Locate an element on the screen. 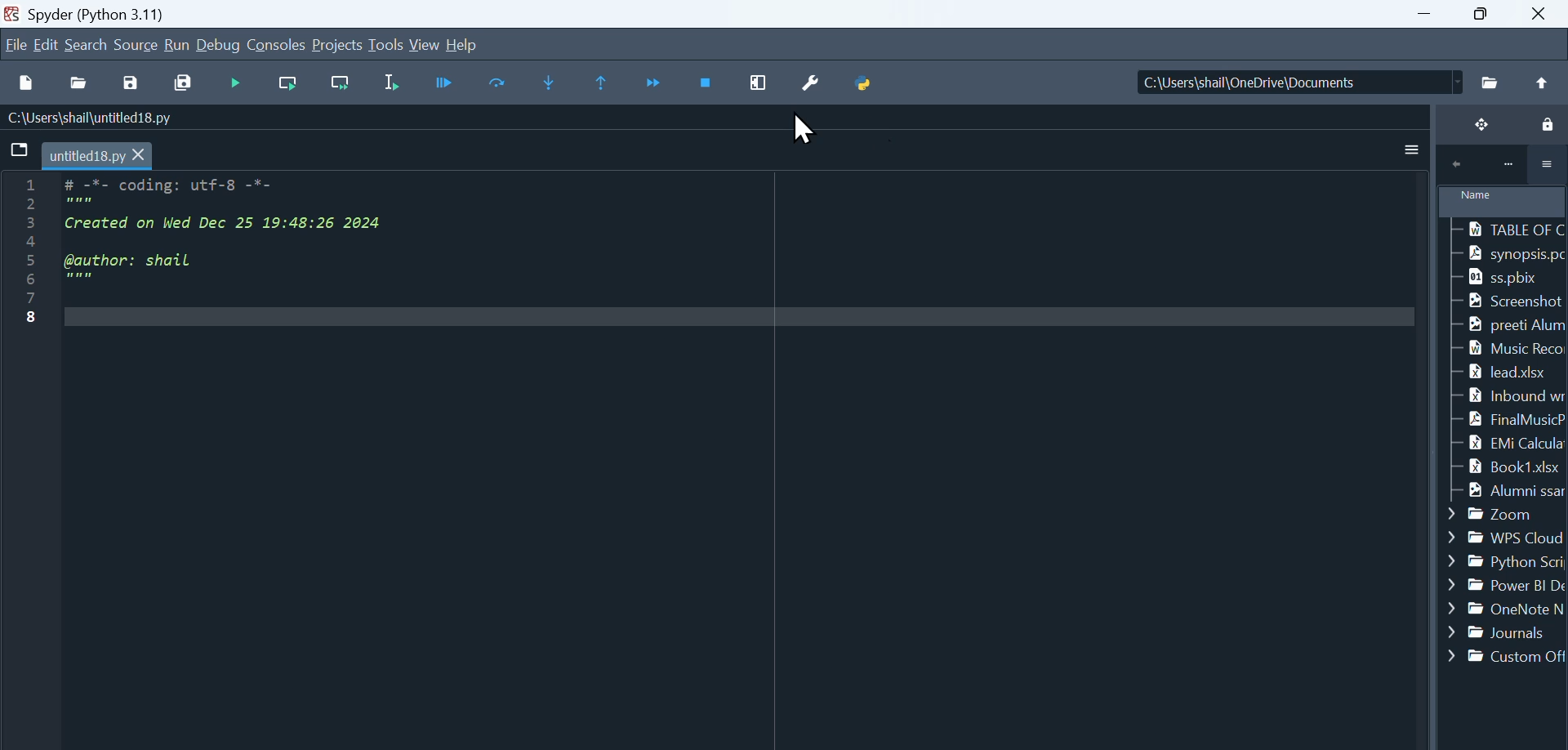  Debugger is located at coordinates (448, 83).